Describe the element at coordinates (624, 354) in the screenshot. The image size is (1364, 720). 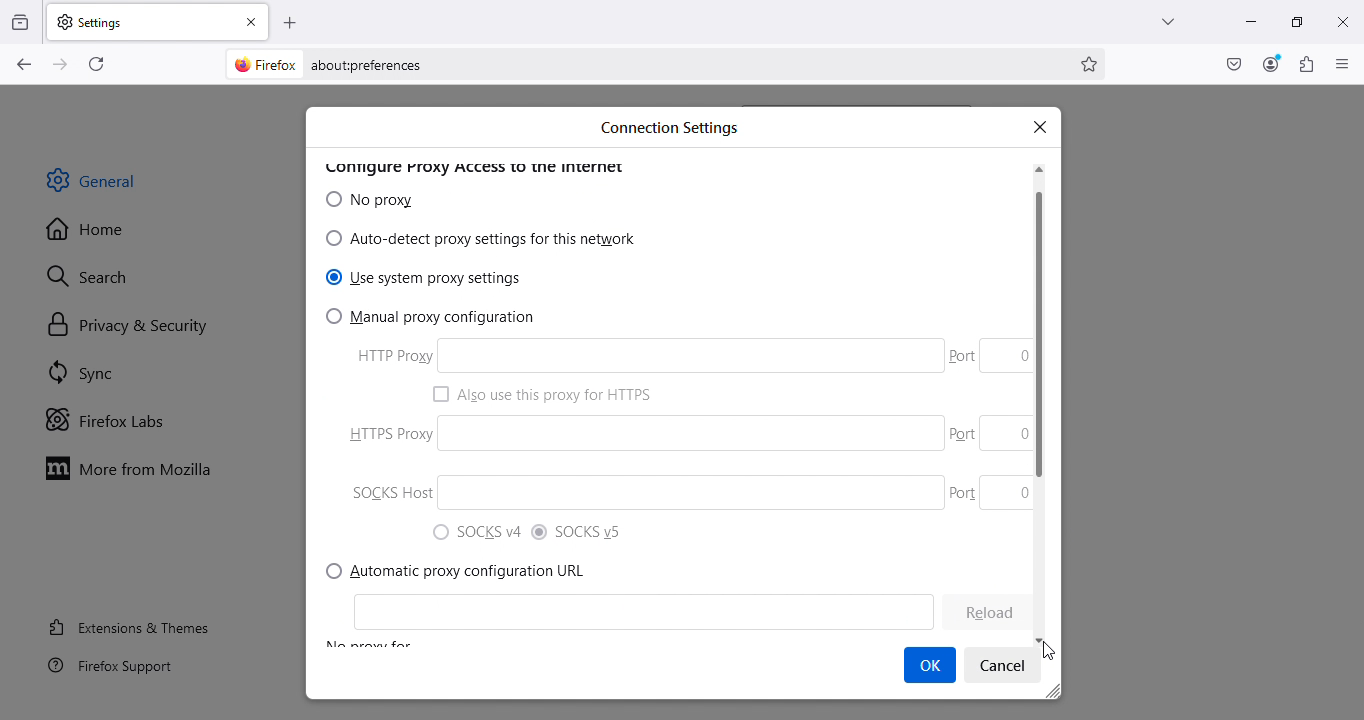
I see `HTTP Proxy` at that location.